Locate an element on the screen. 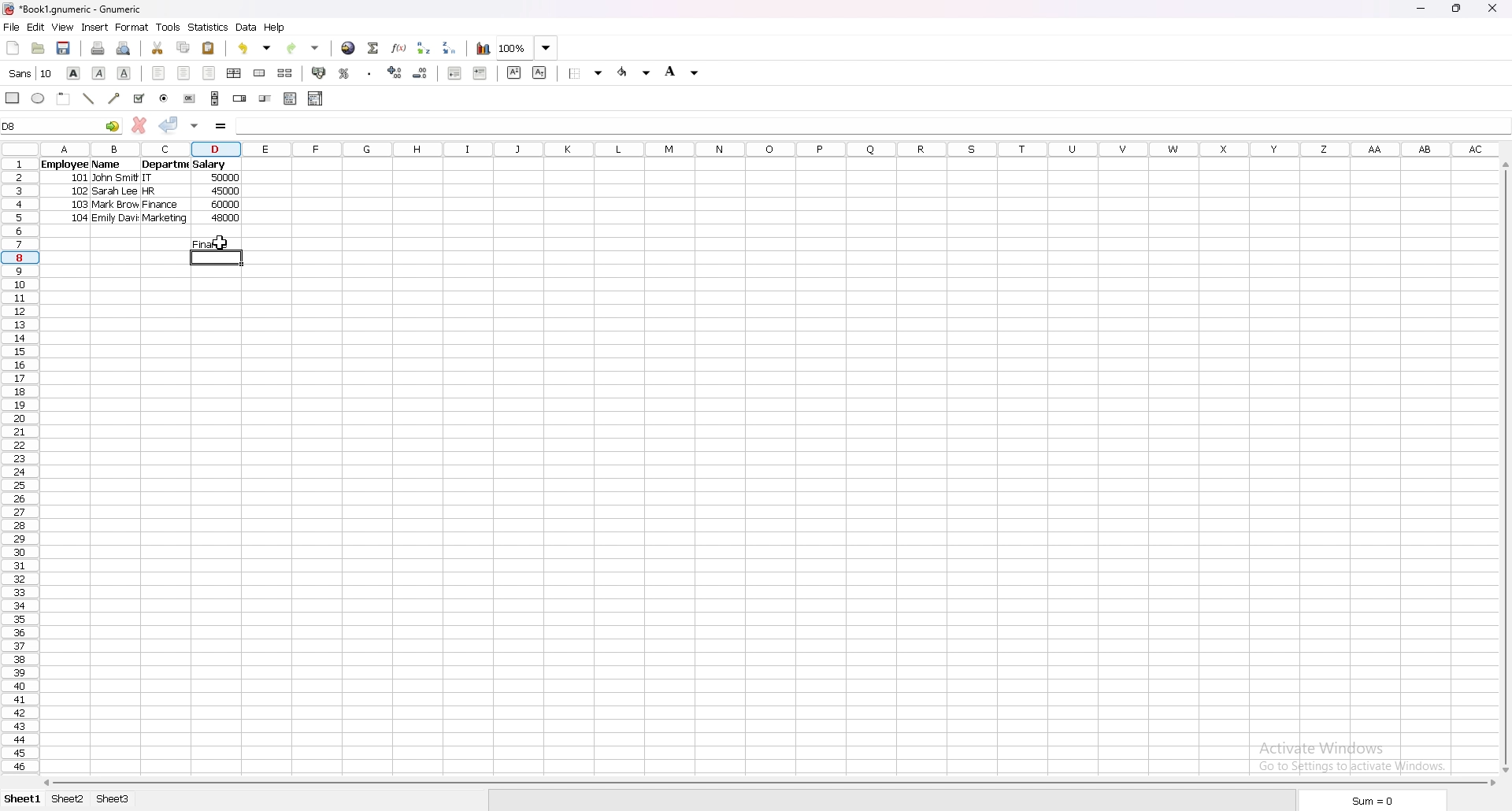  hyperlink is located at coordinates (350, 48).